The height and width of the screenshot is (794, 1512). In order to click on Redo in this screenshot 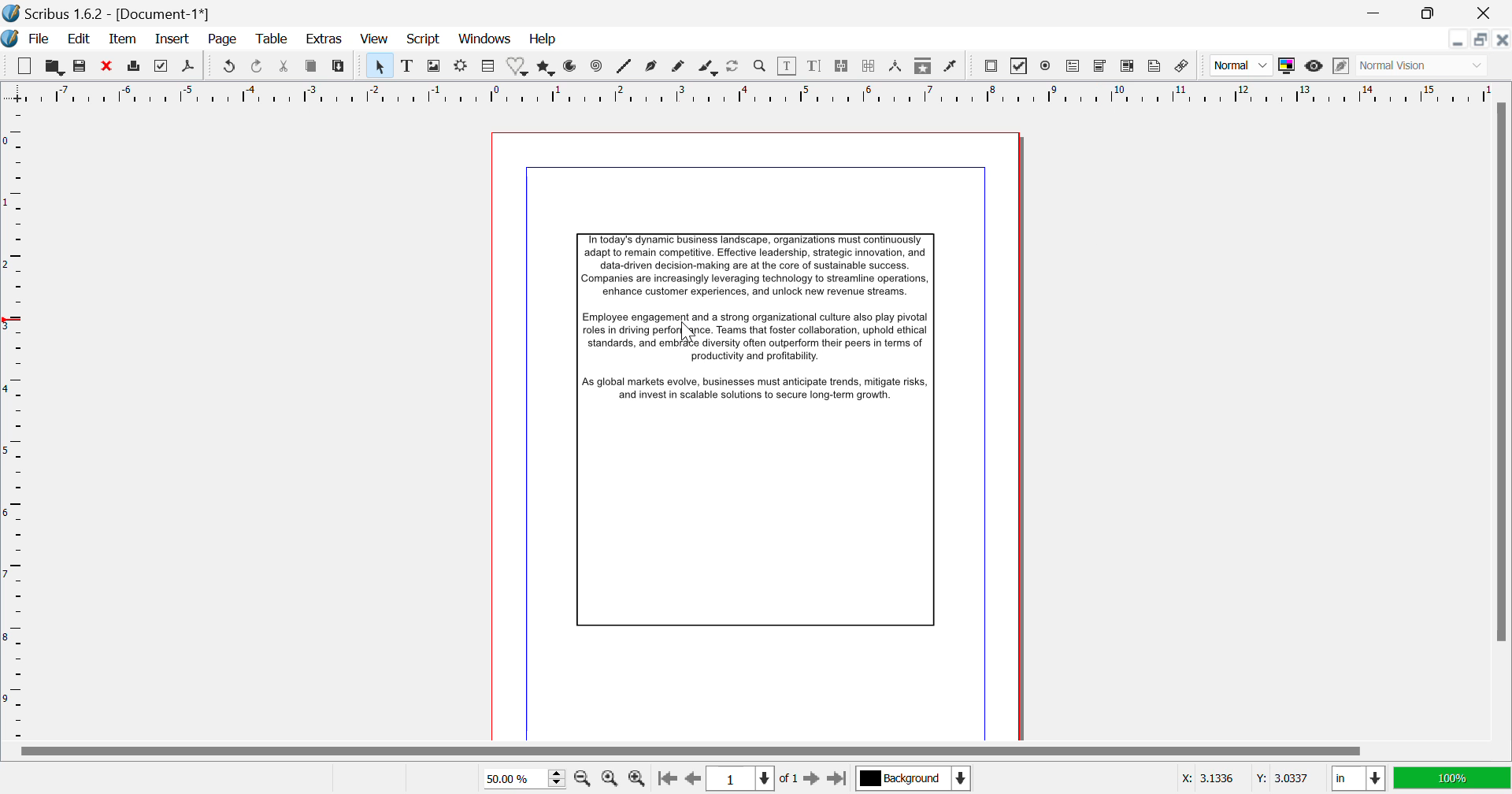, I will do `click(232, 66)`.